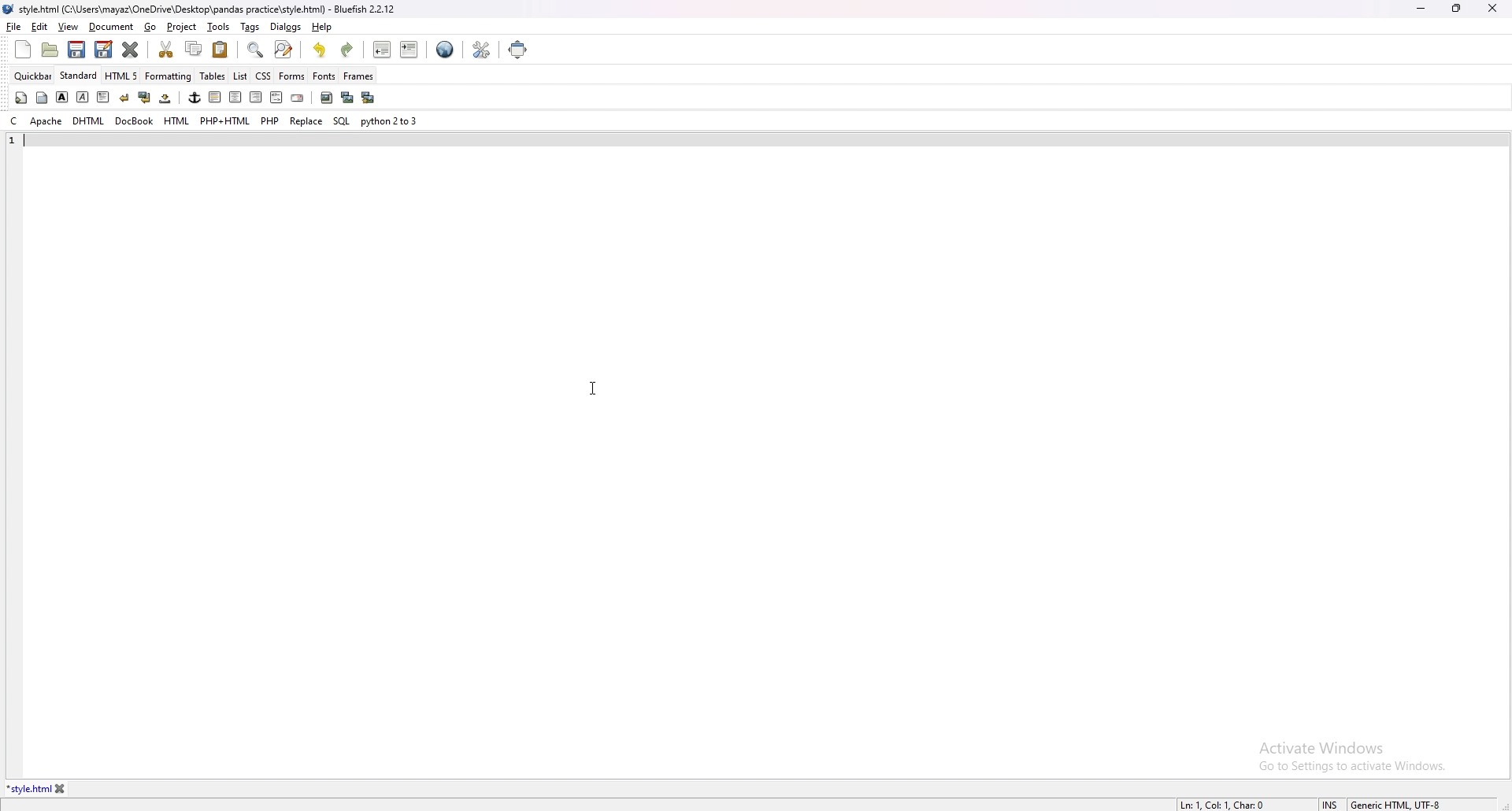 The width and height of the screenshot is (1512, 811). What do you see at coordinates (88, 122) in the screenshot?
I see `dhtml` at bounding box center [88, 122].